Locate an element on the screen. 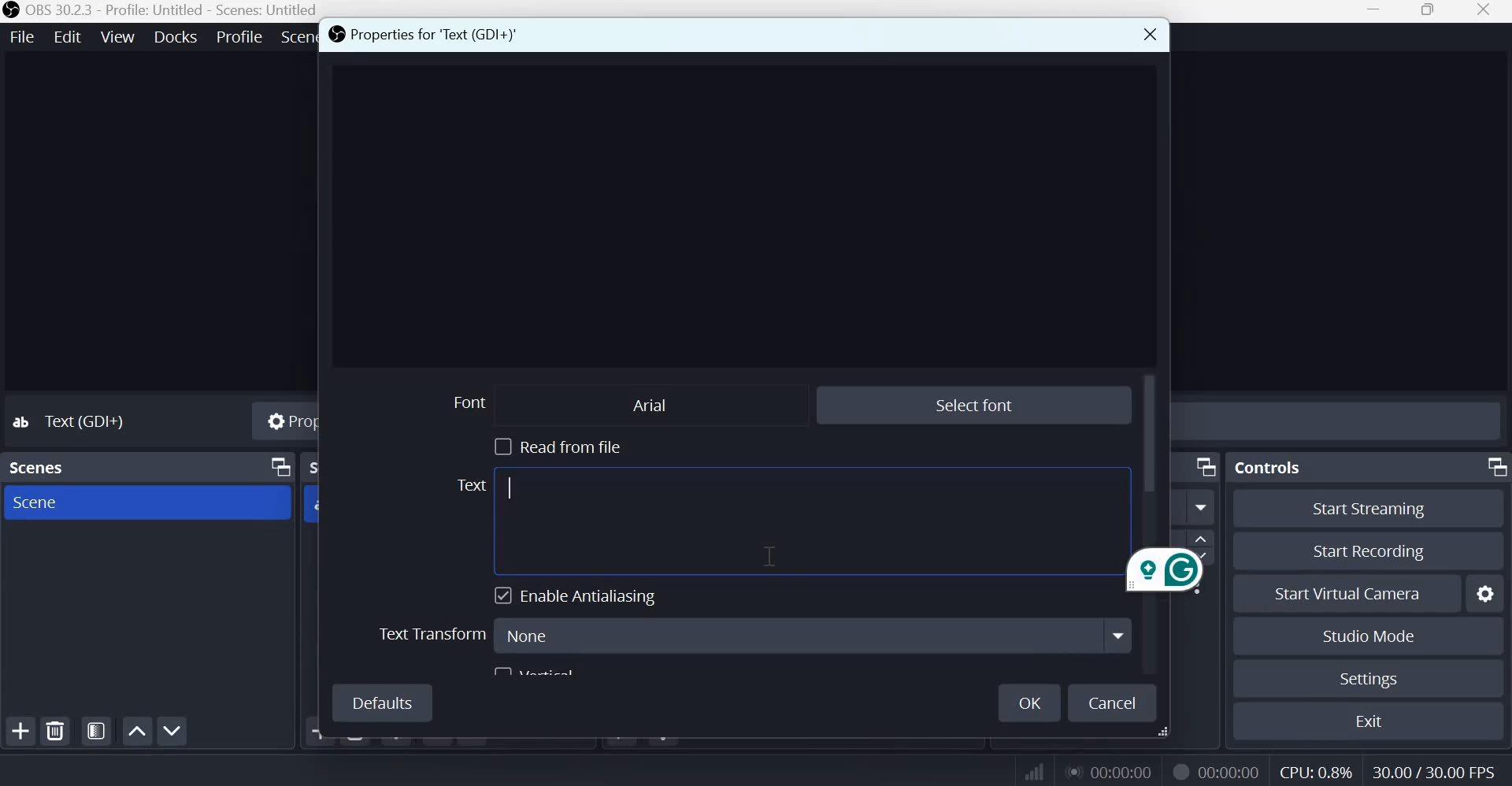 The image size is (1512, 786). Font is located at coordinates (465, 402).